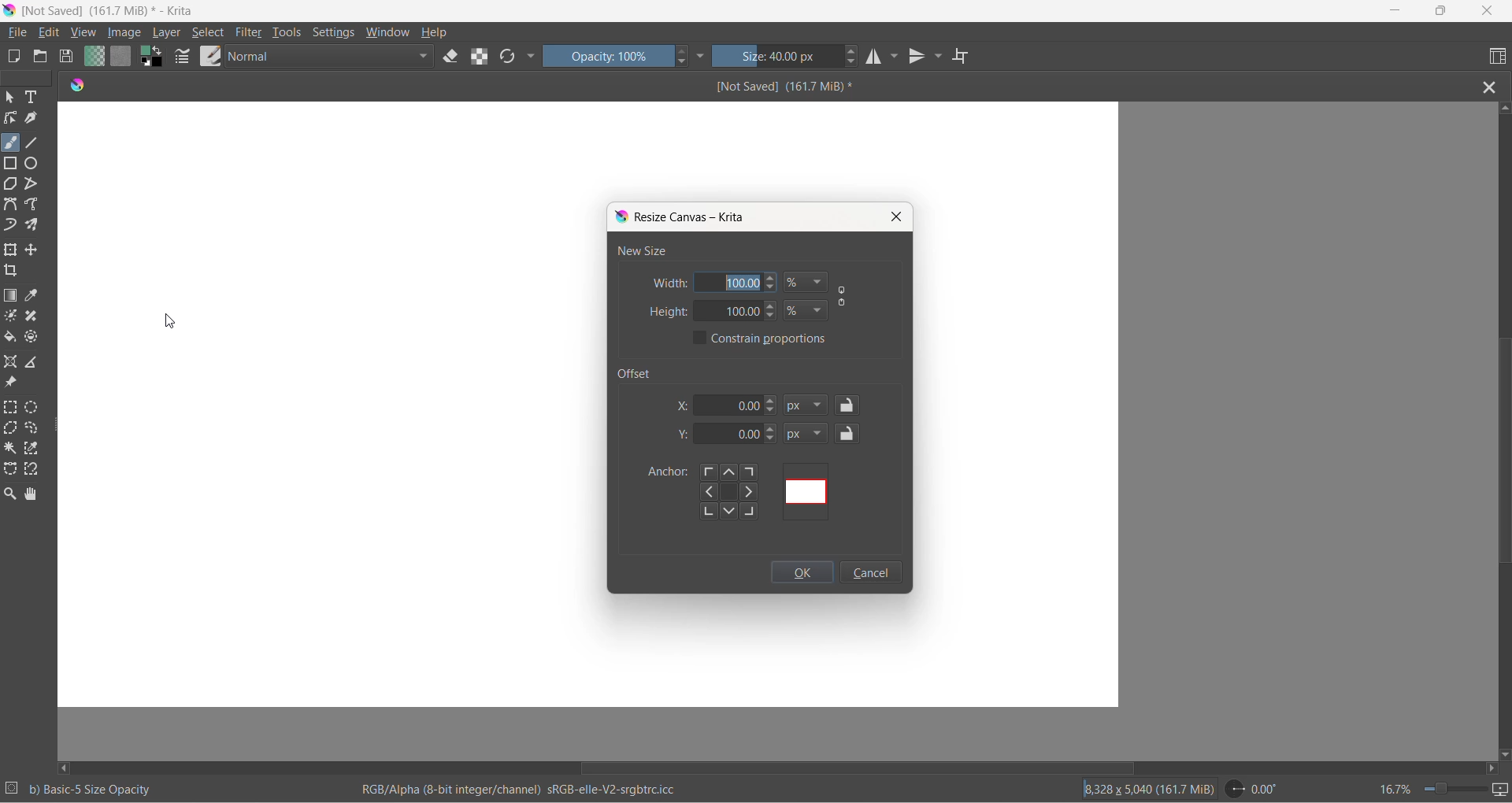  I want to click on view, so click(84, 34).